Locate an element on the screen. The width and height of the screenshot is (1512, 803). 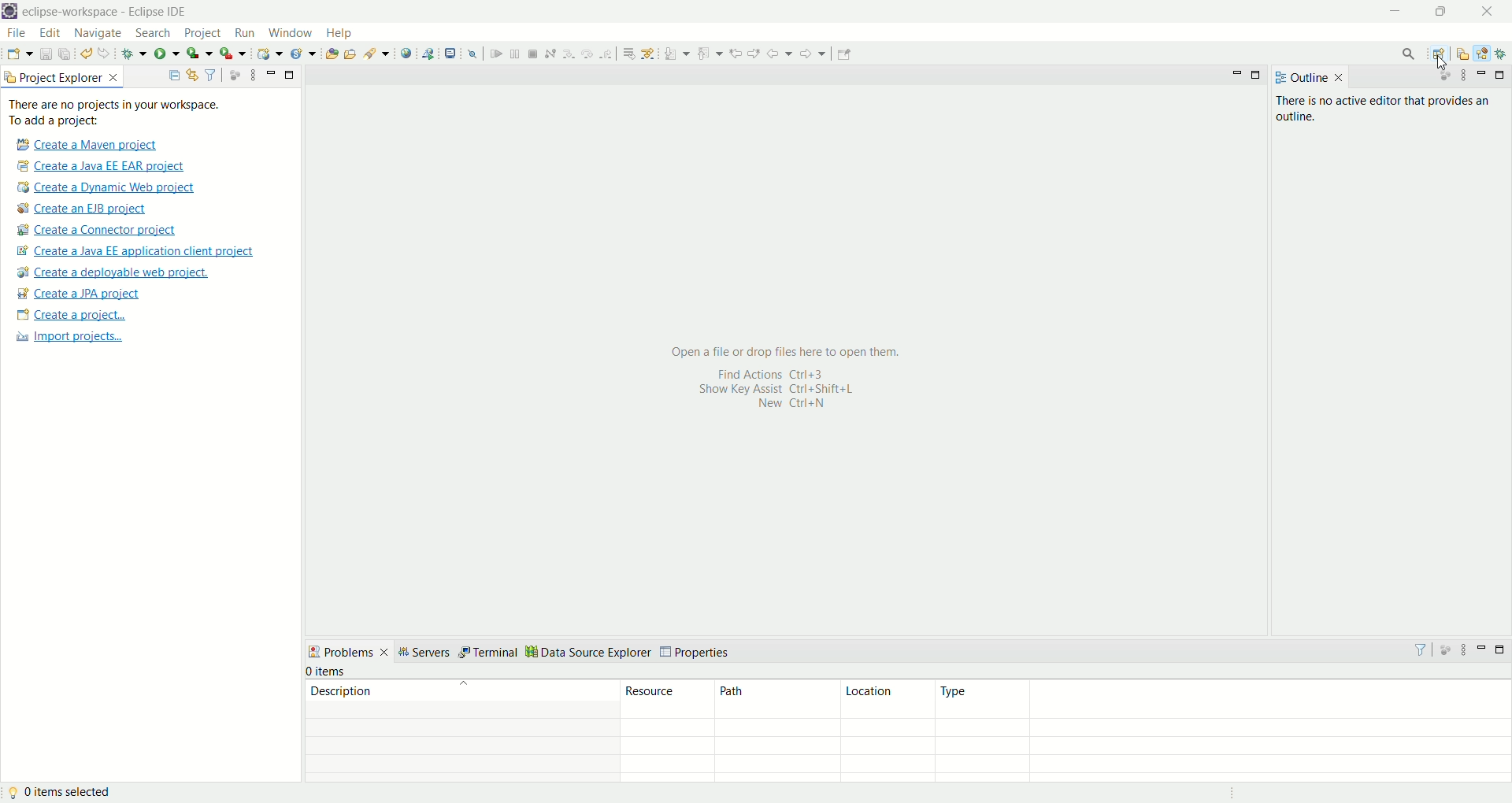
location is located at coordinates (888, 729).